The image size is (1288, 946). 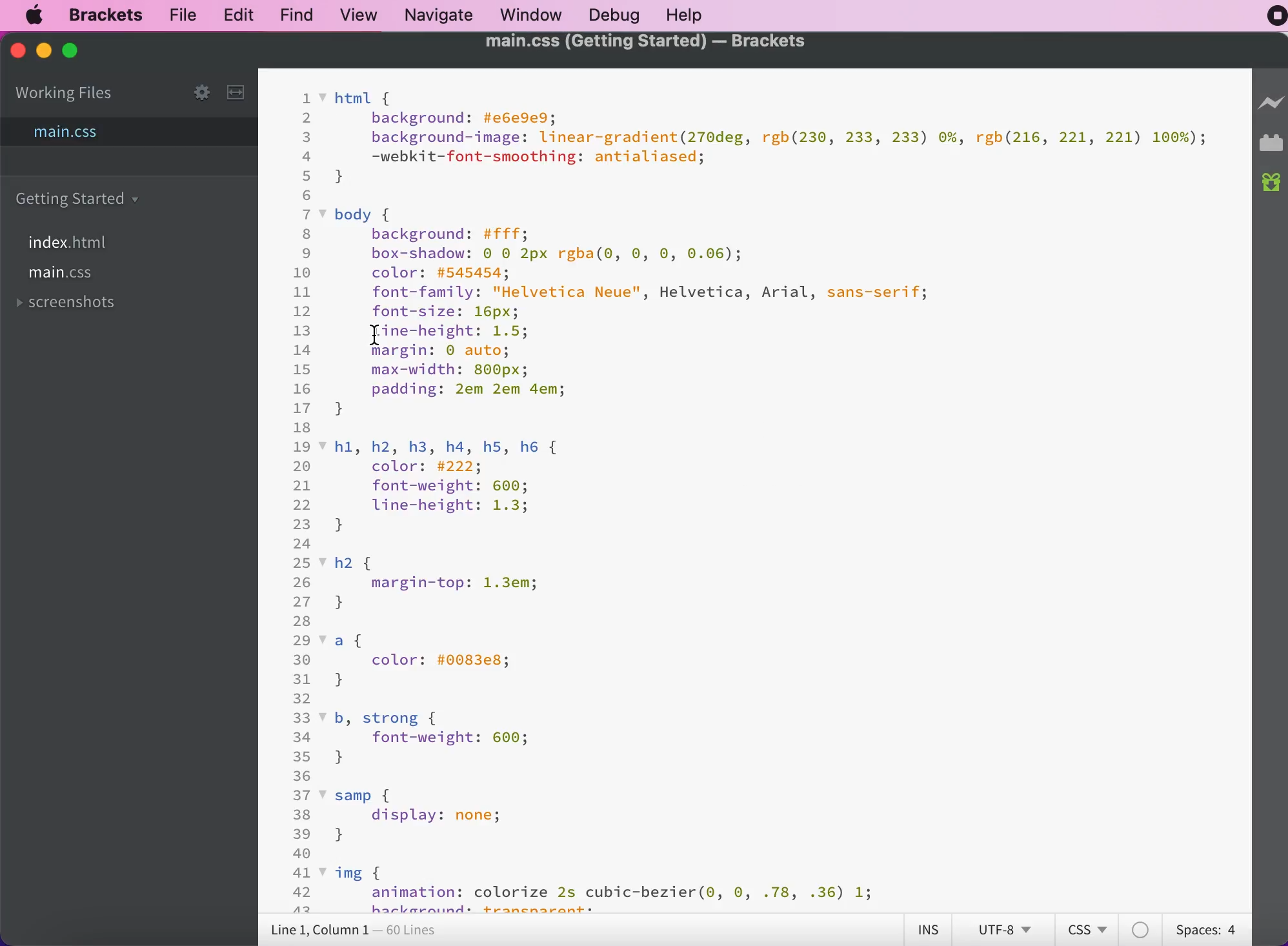 What do you see at coordinates (35, 17) in the screenshot?
I see `mac logo` at bounding box center [35, 17].